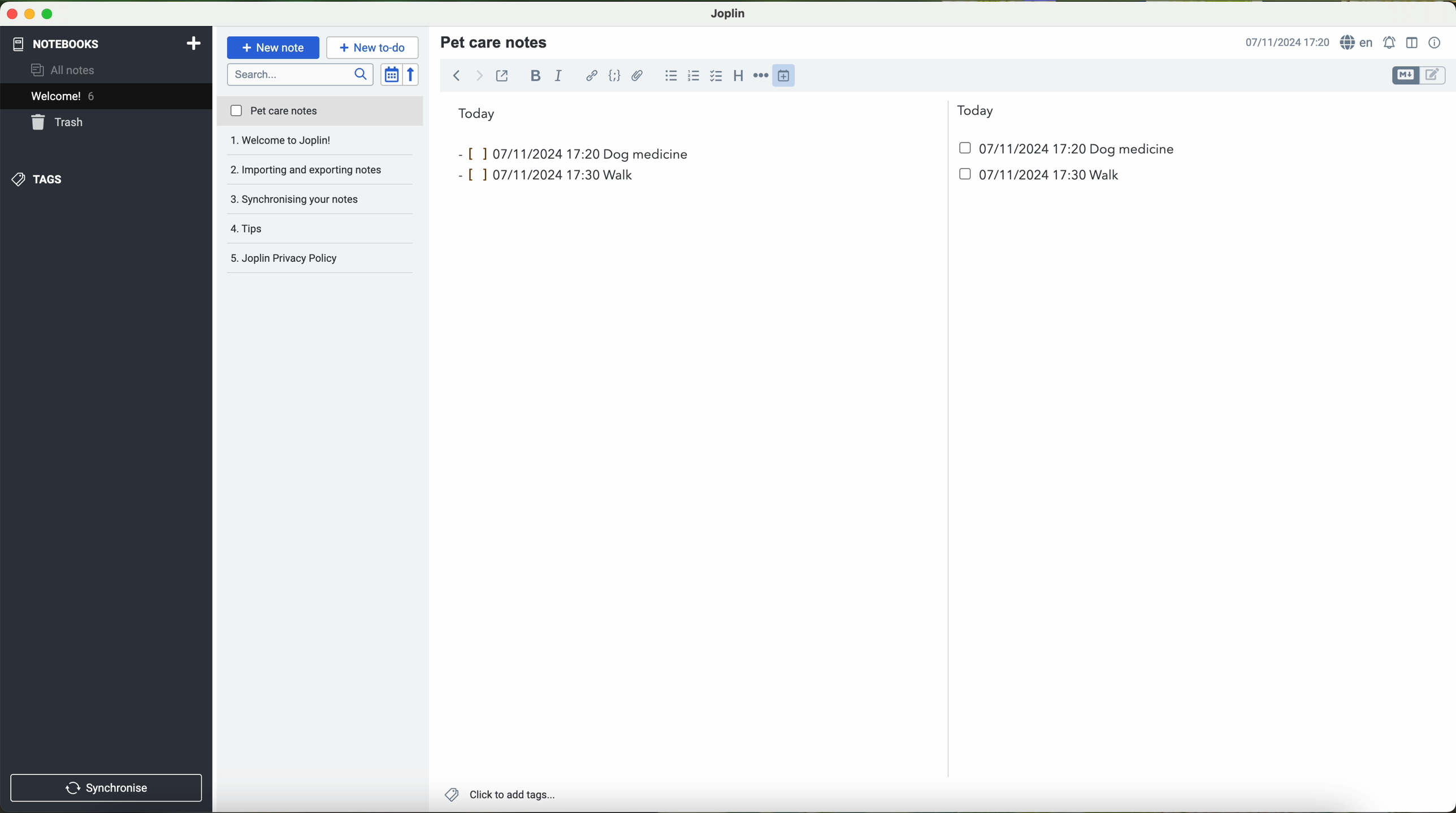 This screenshot has width=1456, height=813. What do you see at coordinates (500, 796) in the screenshot?
I see `add tags` at bounding box center [500, 796].